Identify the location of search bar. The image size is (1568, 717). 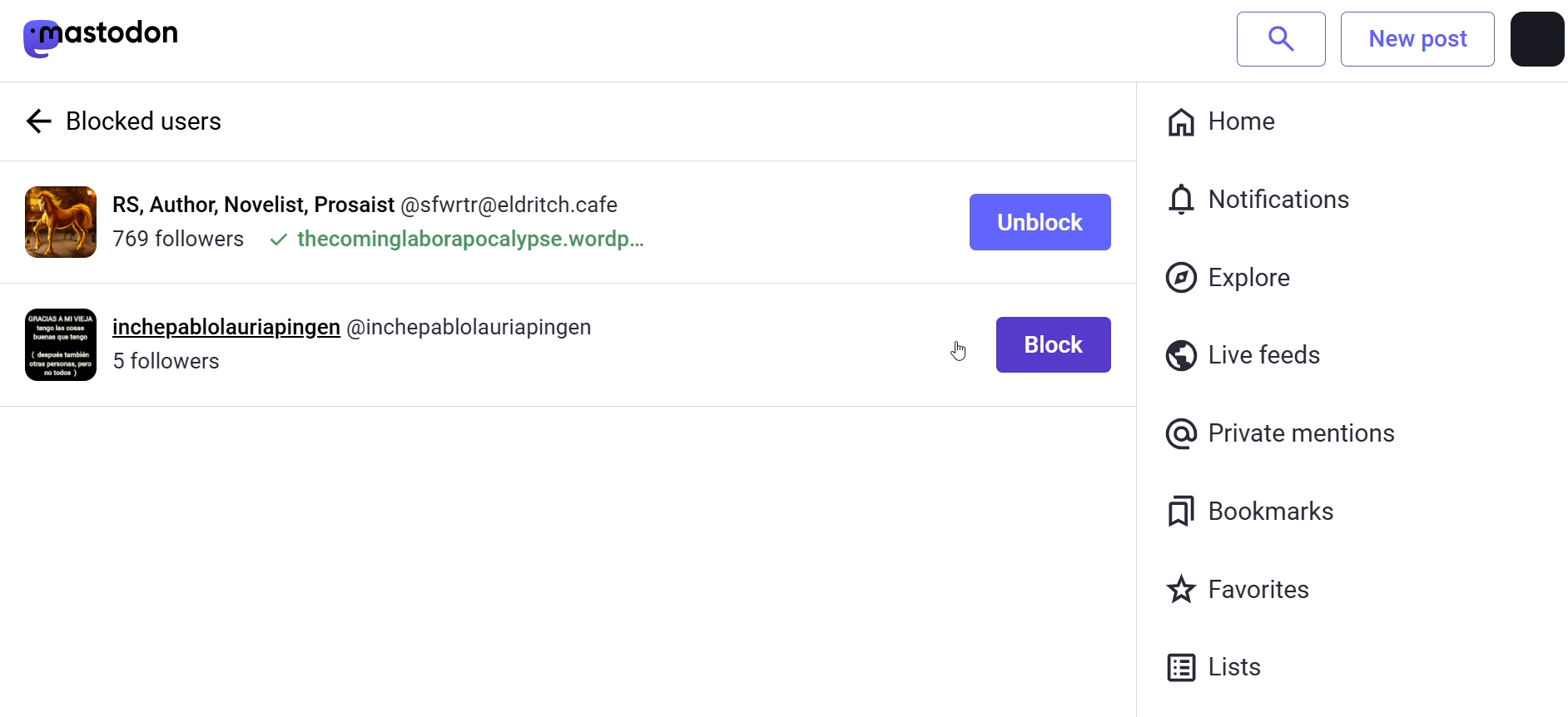
(1281, 37).